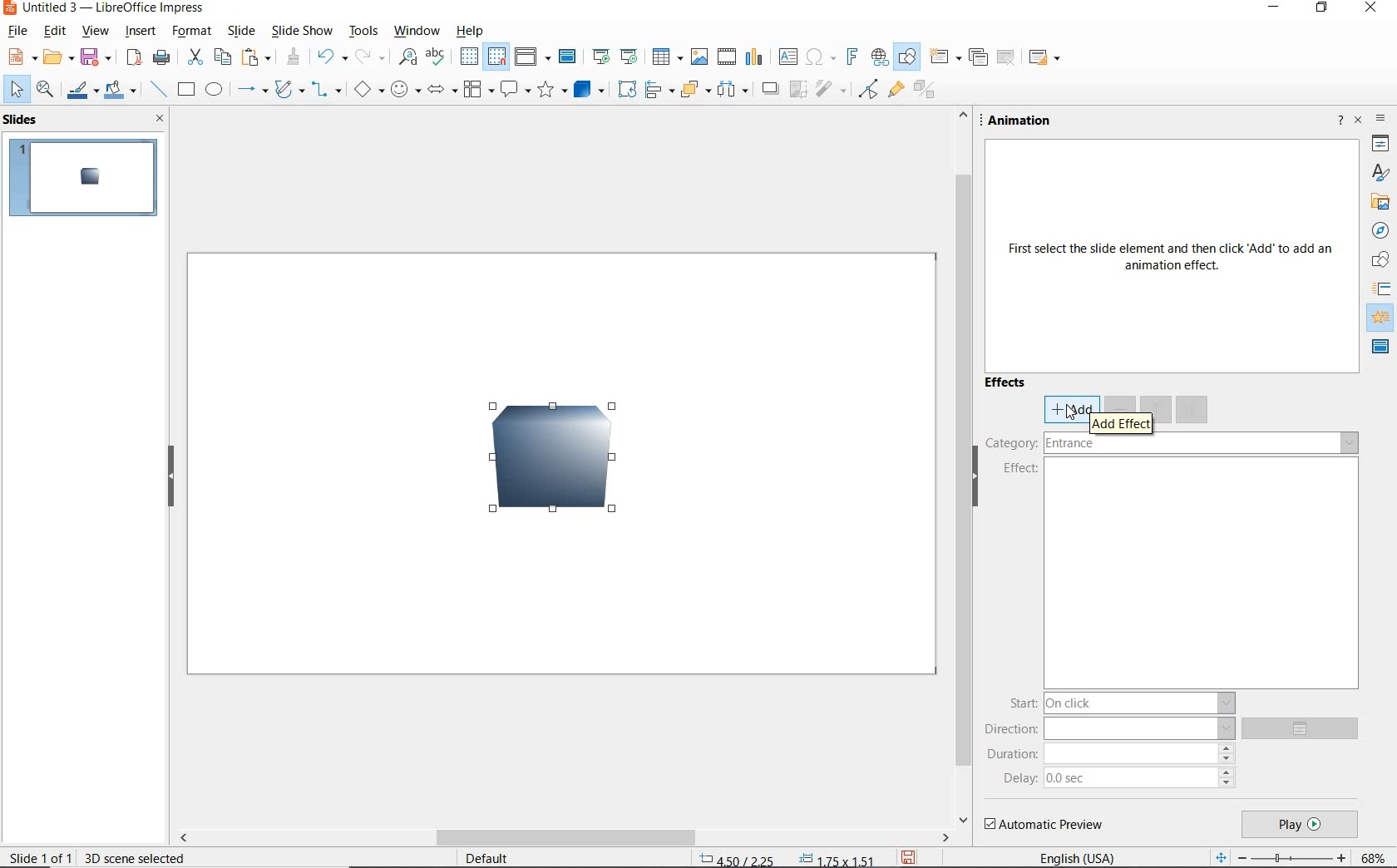 Image resolution: width=1397 pixels, height=868 pixels. Describe the element at coordinates (869, 87) in the screenshot. I see `toggle point edit mode` at that location.